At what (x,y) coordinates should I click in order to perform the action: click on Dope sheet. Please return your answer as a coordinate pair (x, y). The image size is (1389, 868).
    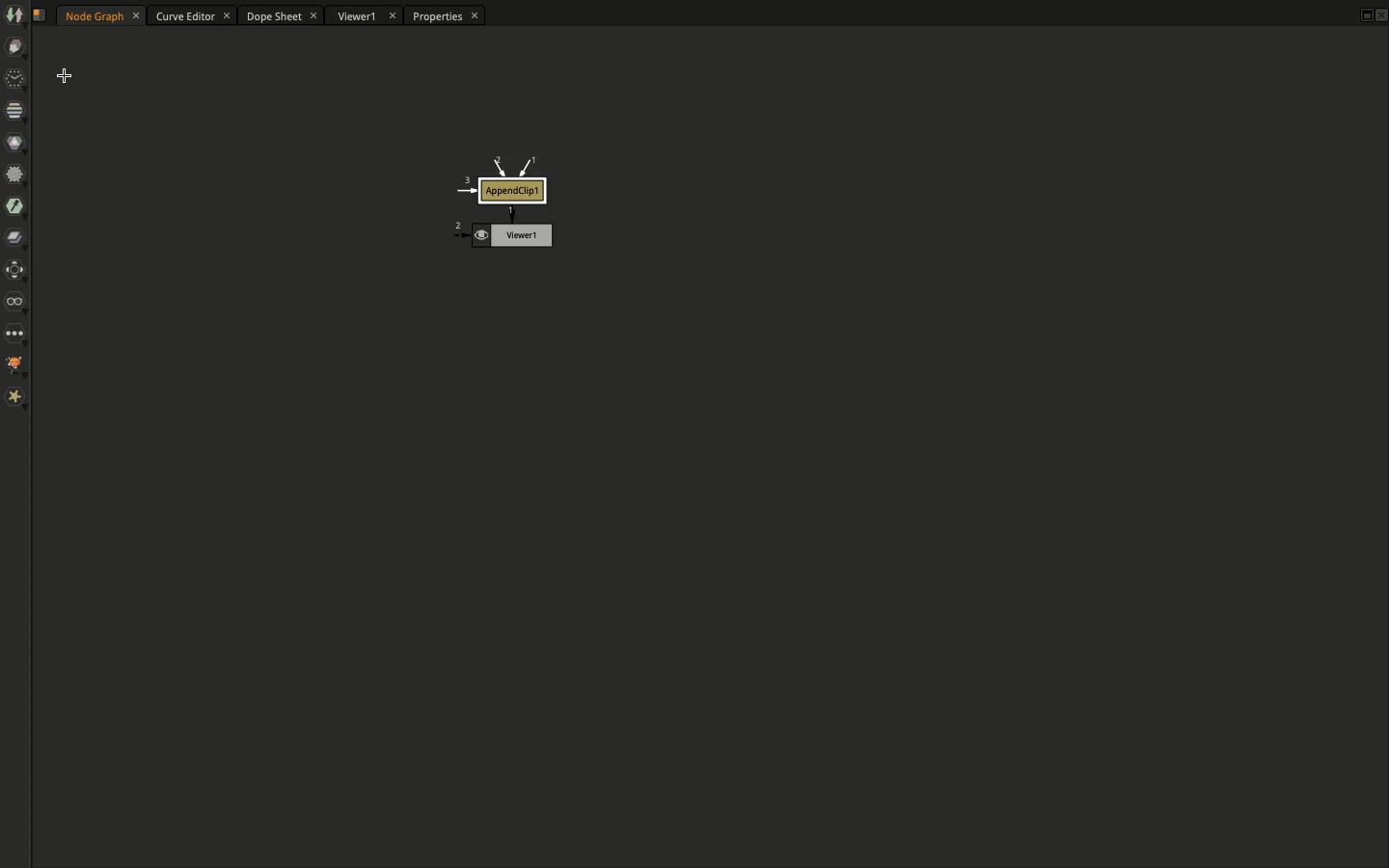
    Looking at the image, I should click on (283, 17).